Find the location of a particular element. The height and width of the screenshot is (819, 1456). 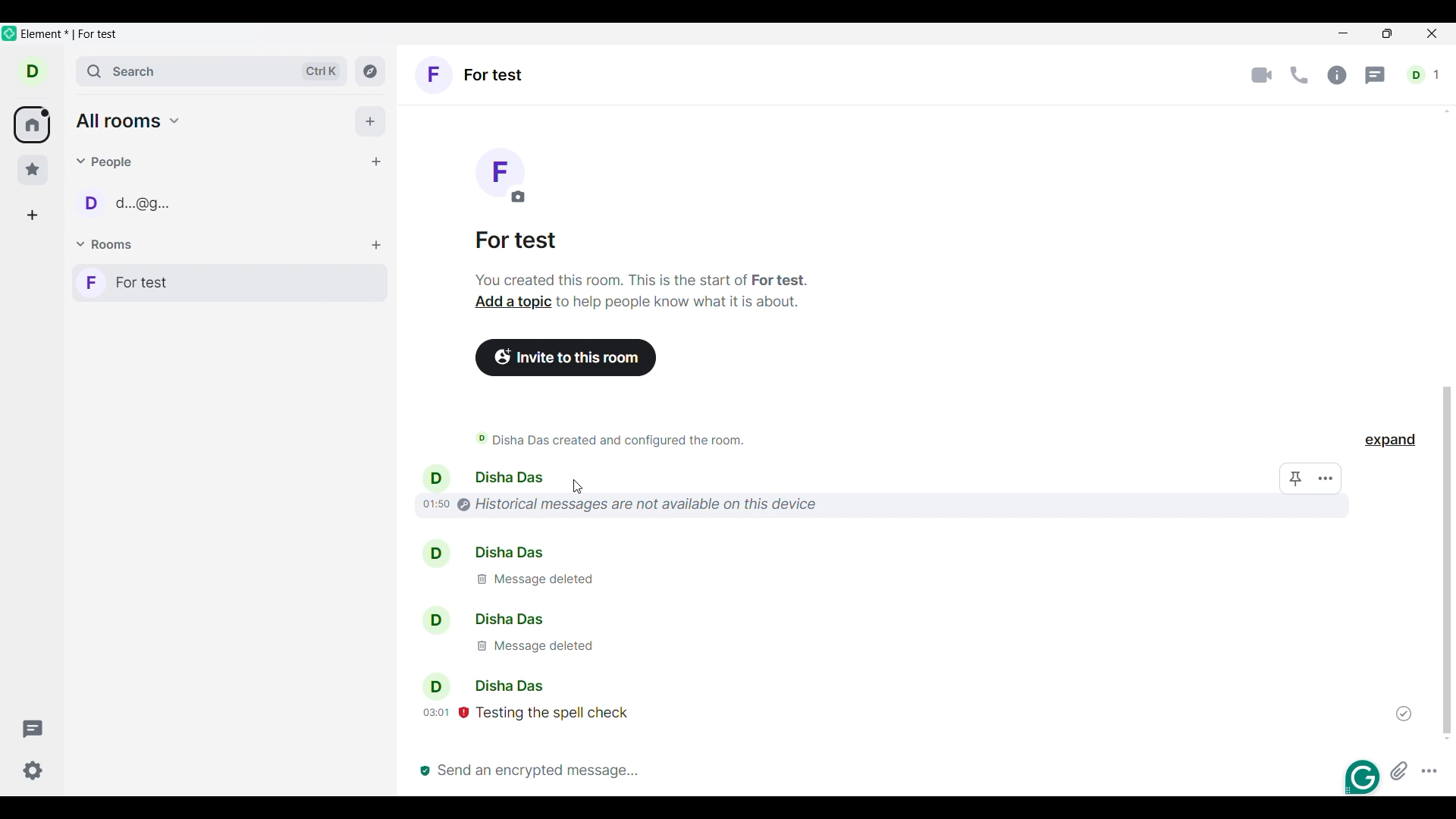

Create a space is located at coordinates (32, 215).